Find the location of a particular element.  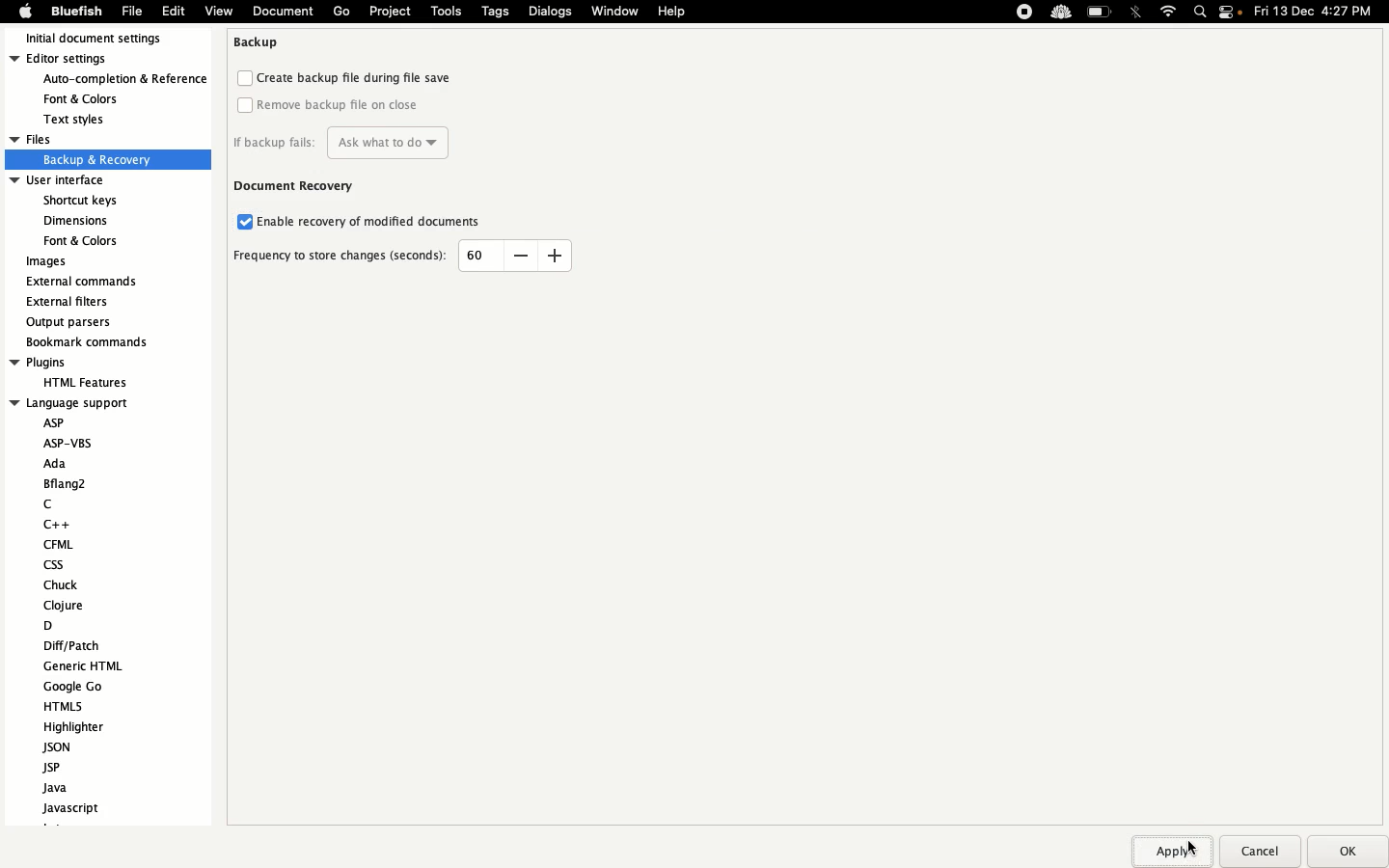

Remove backup file on the close is located at coordinates (331, 105).